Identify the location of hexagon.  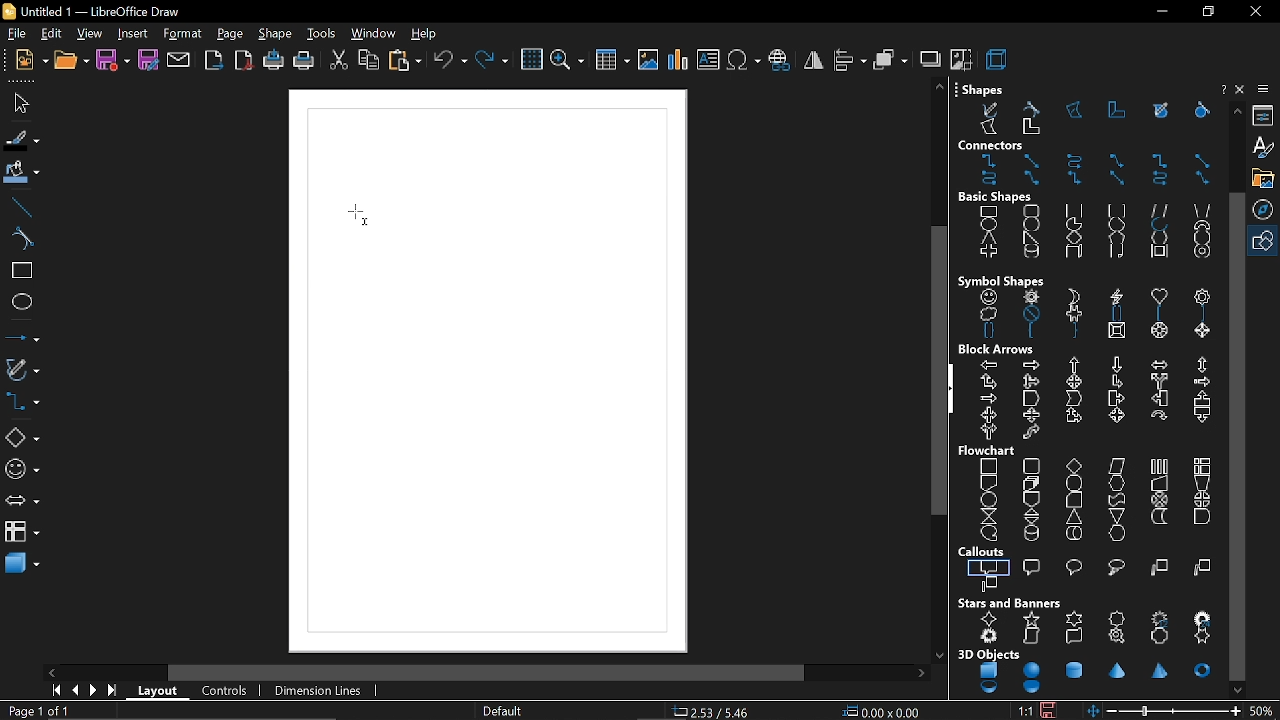
(1158, 238).